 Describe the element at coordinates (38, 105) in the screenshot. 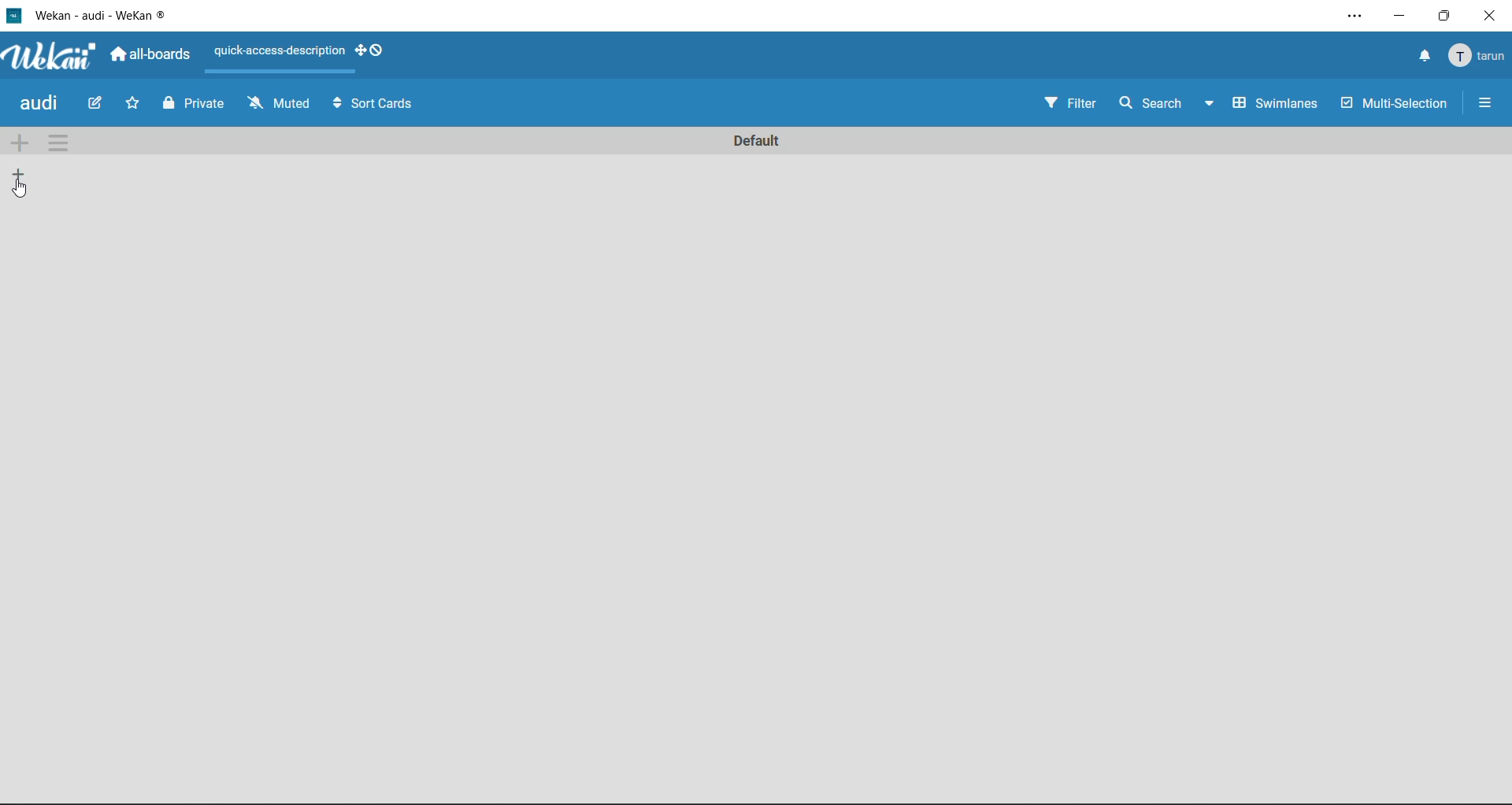

I see `audi` at that location.